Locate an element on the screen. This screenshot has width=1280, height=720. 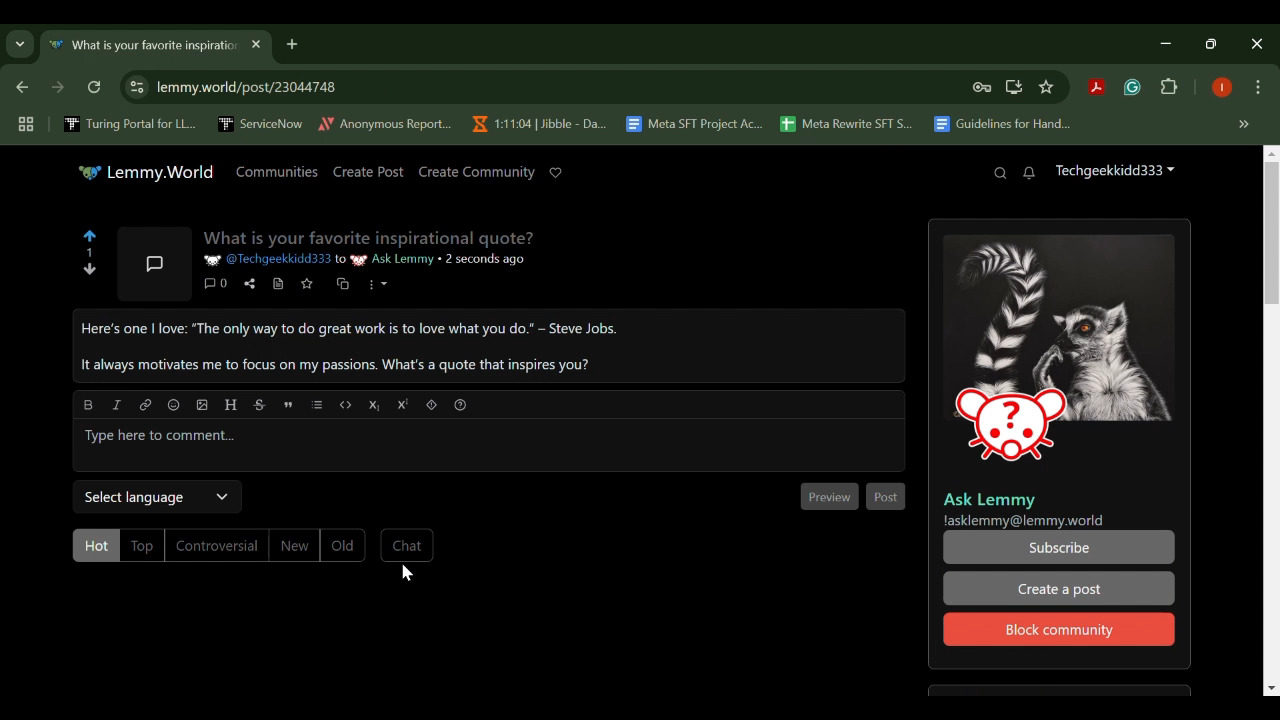
What is your favorite inspirational quote? is located at coordinates (138, 46).